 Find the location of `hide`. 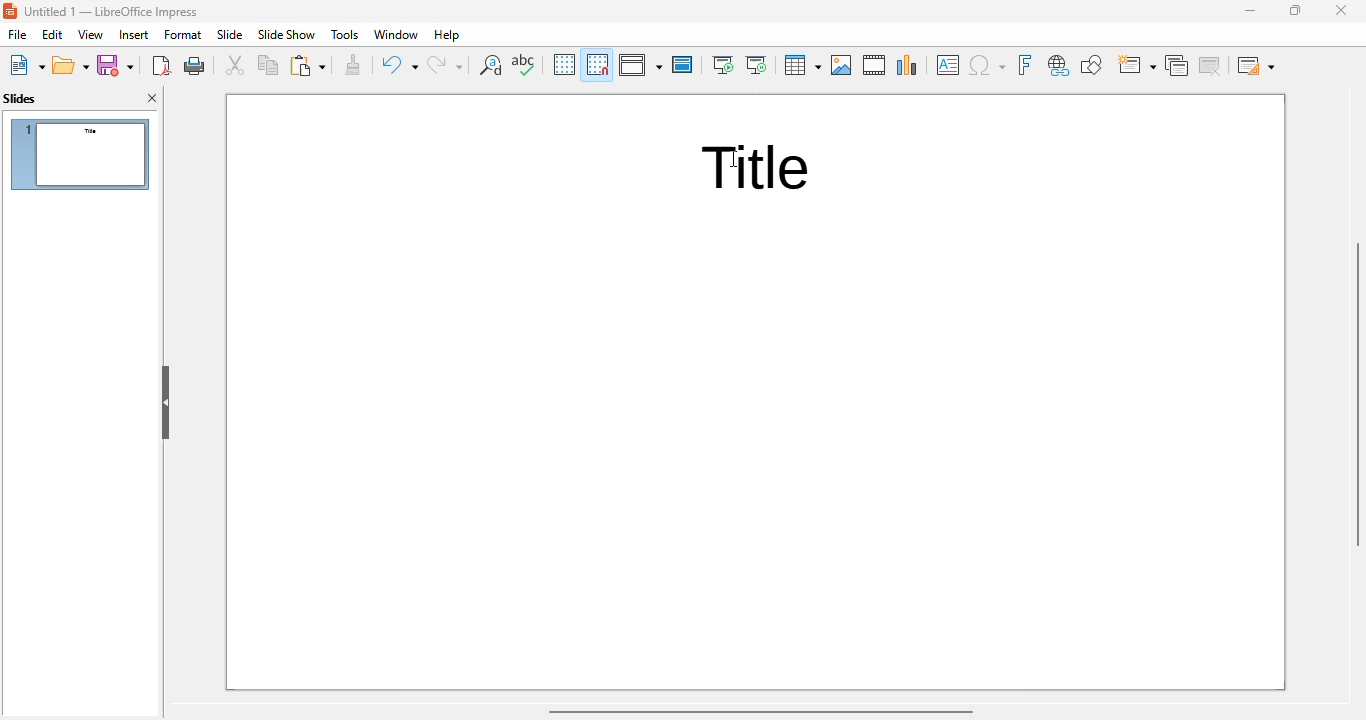

hide is located at coordinates (165, 403).